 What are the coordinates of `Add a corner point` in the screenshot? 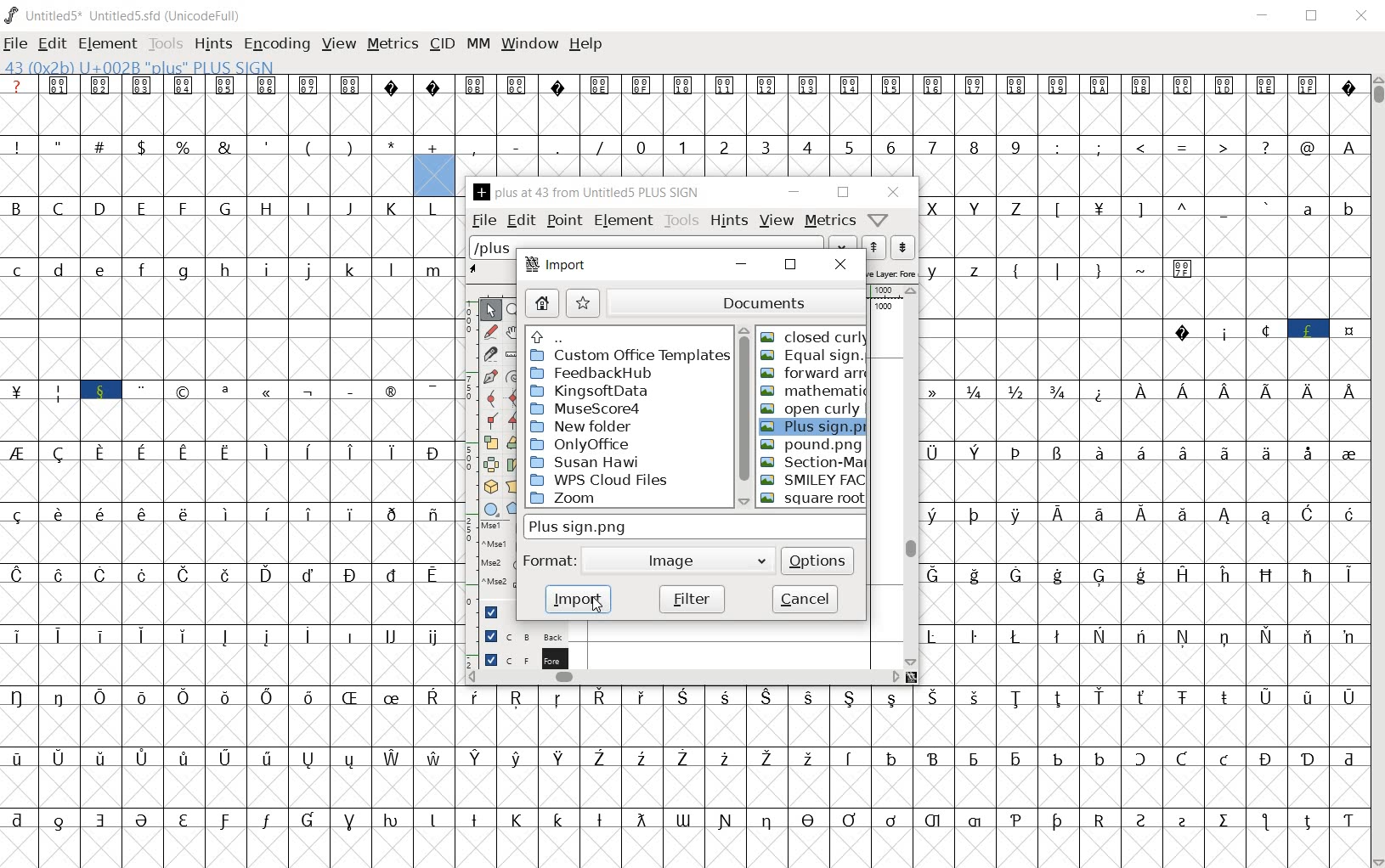 It's located at (512, 420).